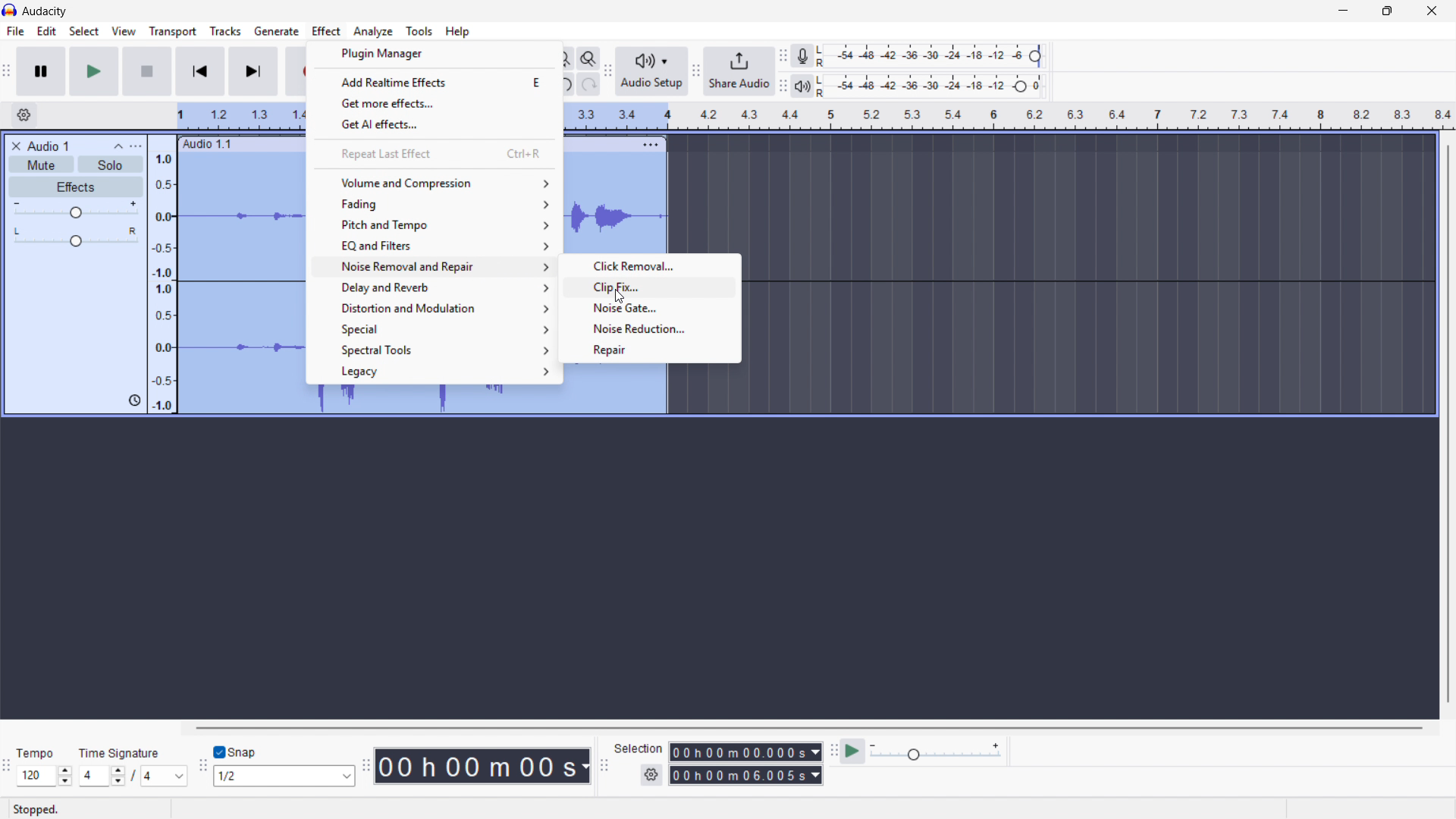 The width and height of the screenshot is (1456, 819). Describe the element at coordinates (807, 728) in the screenshot. I see `Horizontal scroll bar` at that location.